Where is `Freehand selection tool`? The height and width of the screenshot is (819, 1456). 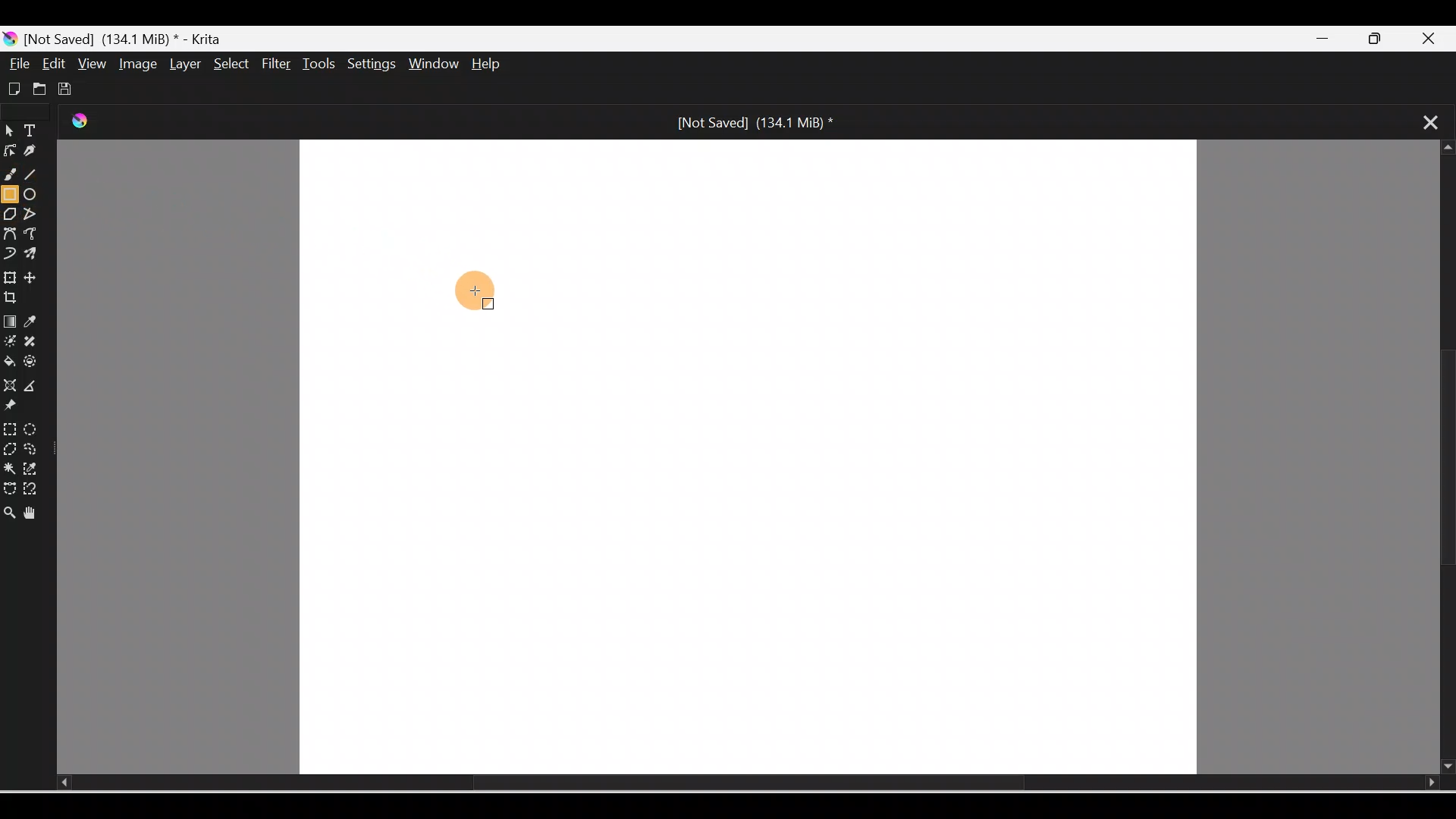
Freehand selection tool is located at coordinates (35, 449).